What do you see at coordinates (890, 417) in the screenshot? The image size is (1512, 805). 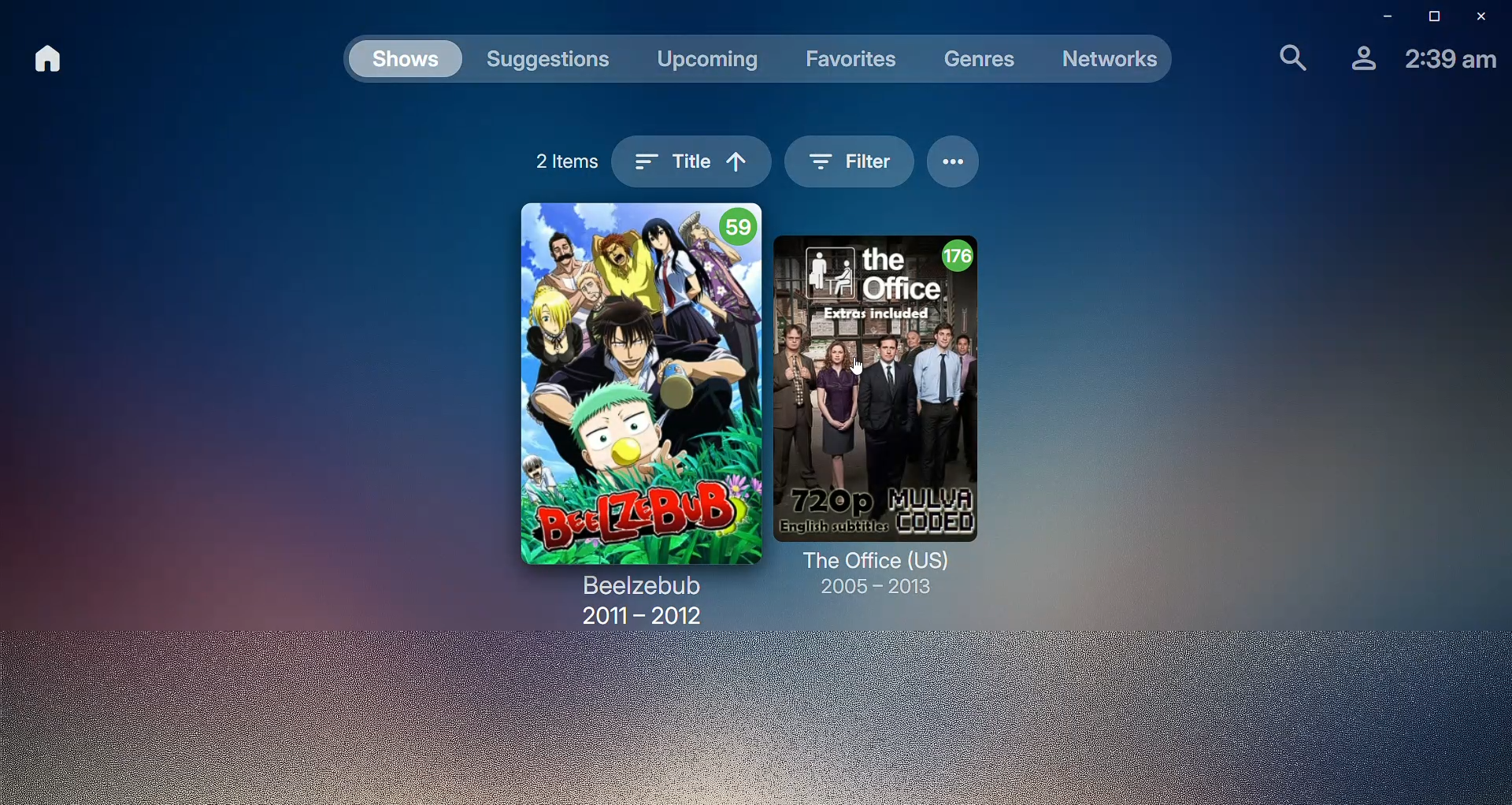 I see `The Office` at bounding box center [890, 417].